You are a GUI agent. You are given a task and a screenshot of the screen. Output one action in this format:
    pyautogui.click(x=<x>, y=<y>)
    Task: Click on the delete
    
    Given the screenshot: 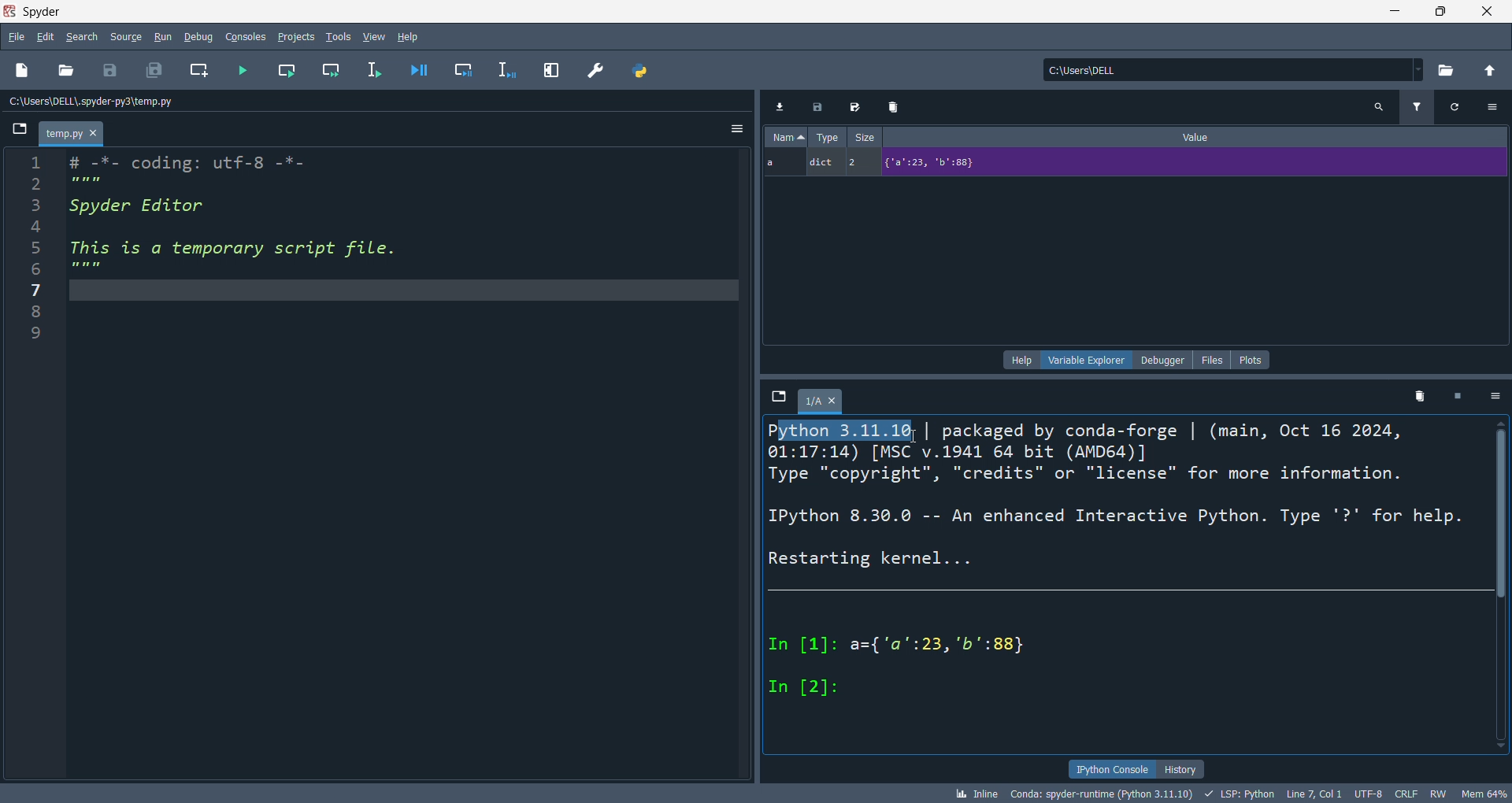 What is the action you would take?
    pyautogui.click(x=1419, y=394)
    